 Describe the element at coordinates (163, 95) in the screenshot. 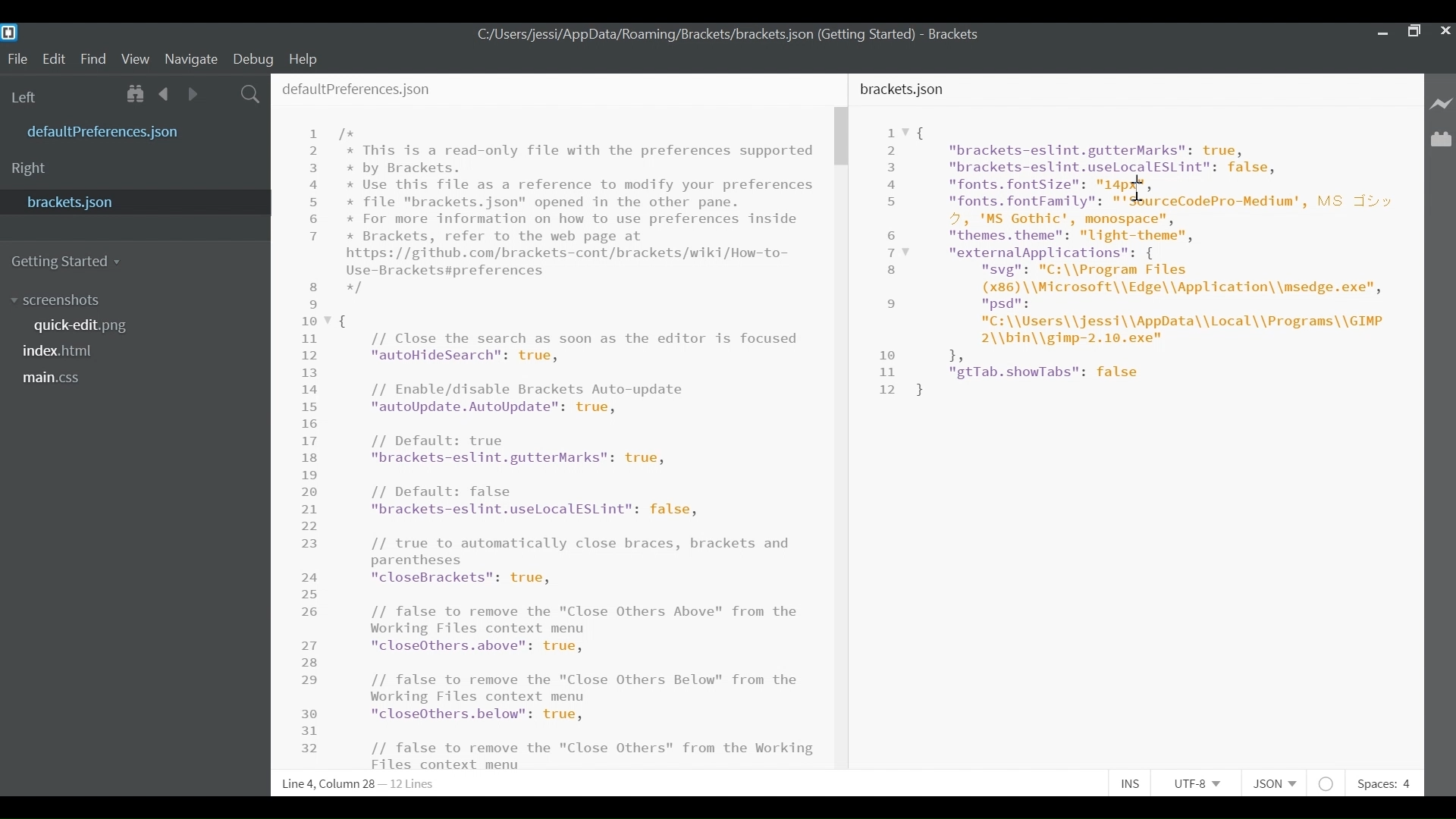

I see `Navigate back` at that location.